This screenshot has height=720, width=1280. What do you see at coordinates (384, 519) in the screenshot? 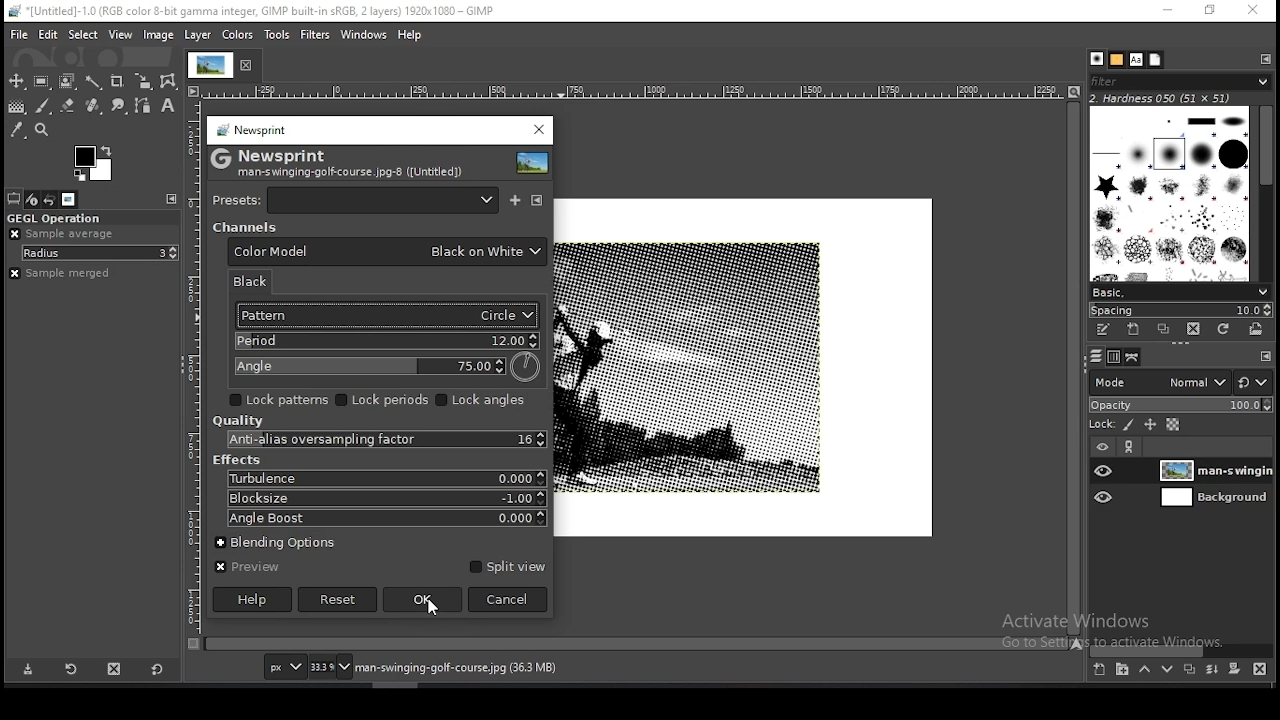
I see `angle boost` at bounding box center [384, 519].